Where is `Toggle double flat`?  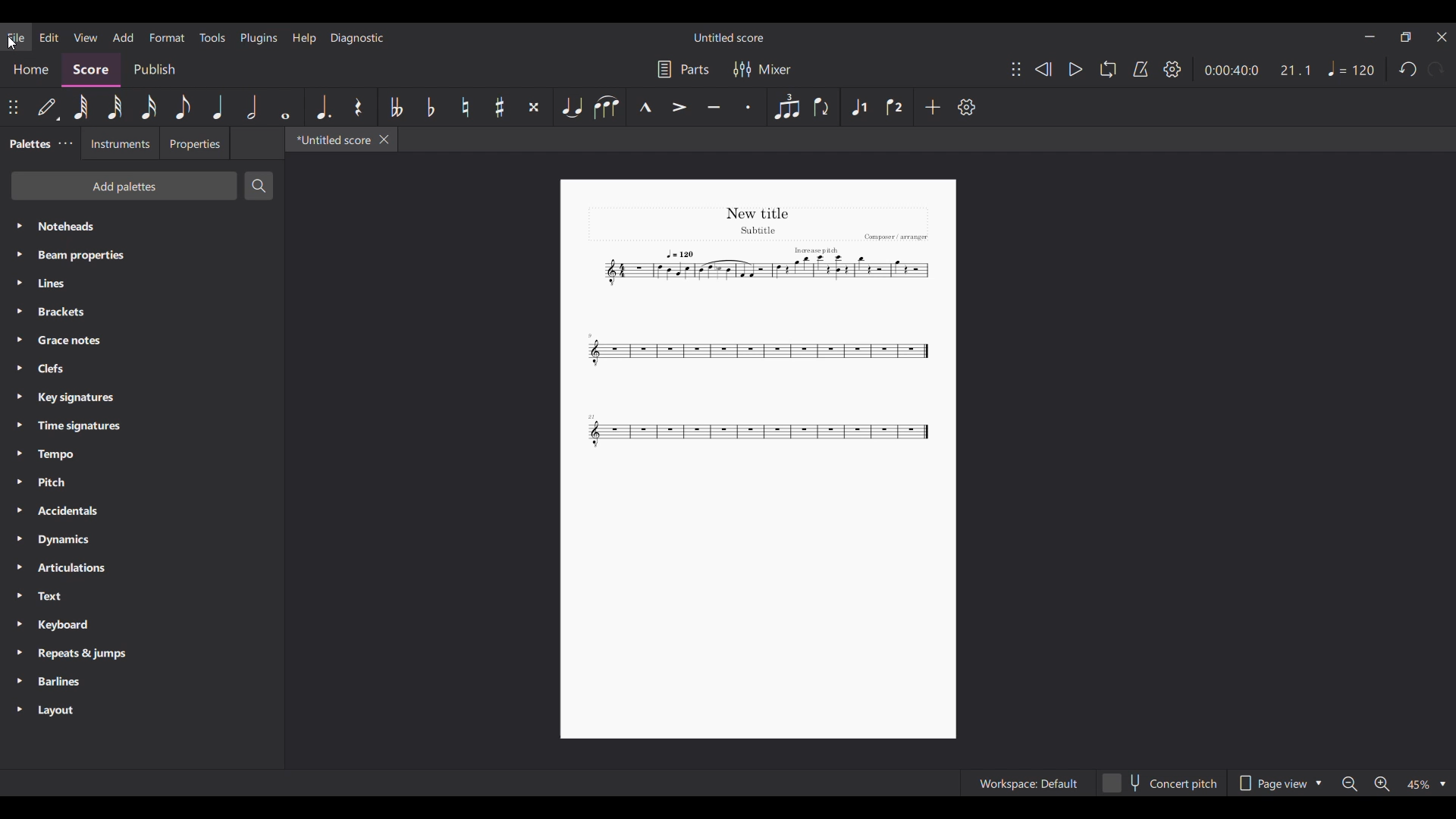 Toggle double flat is located at coordinates (395, 107).